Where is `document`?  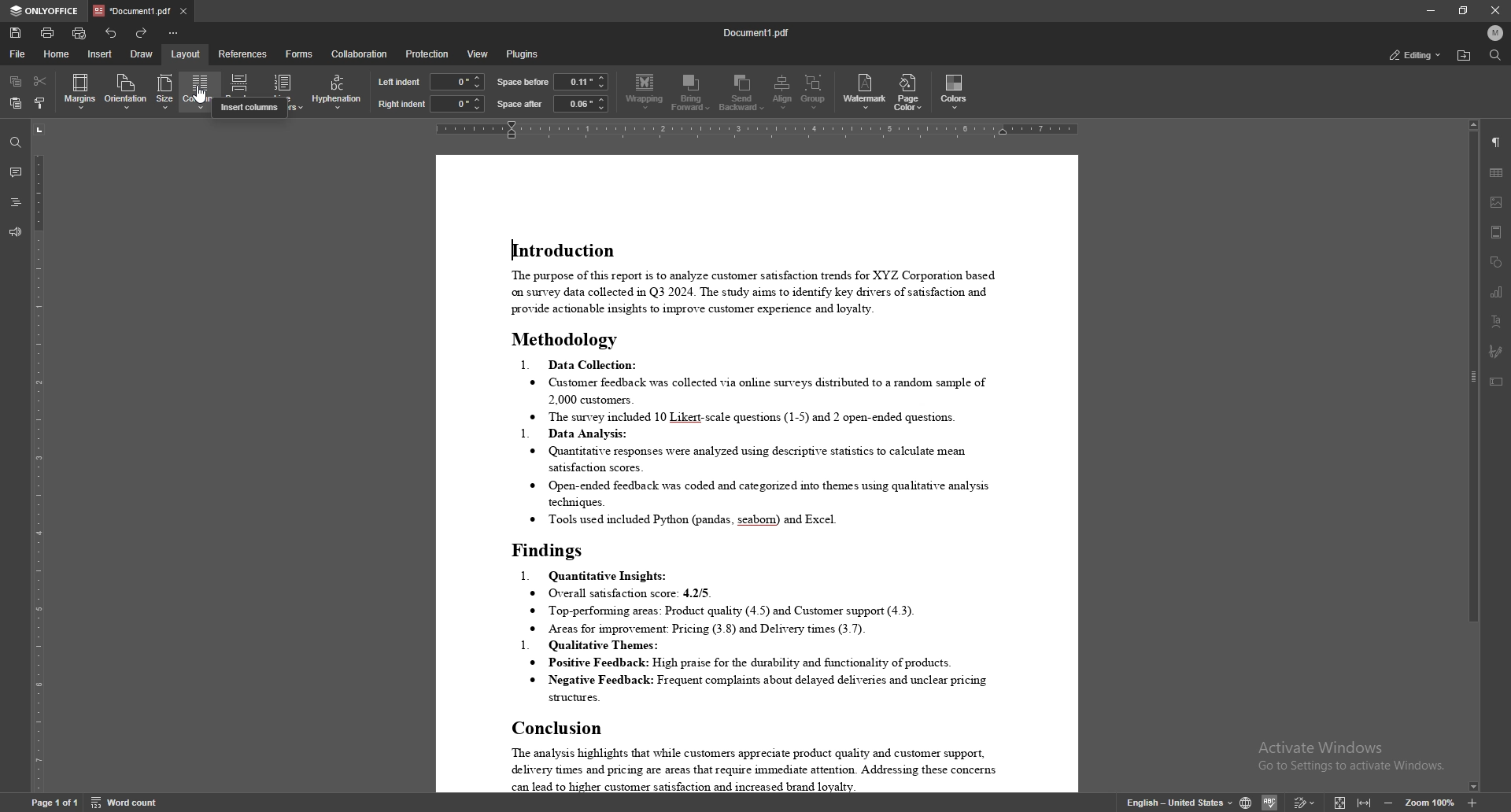 document is located at coordinates (758, 474).